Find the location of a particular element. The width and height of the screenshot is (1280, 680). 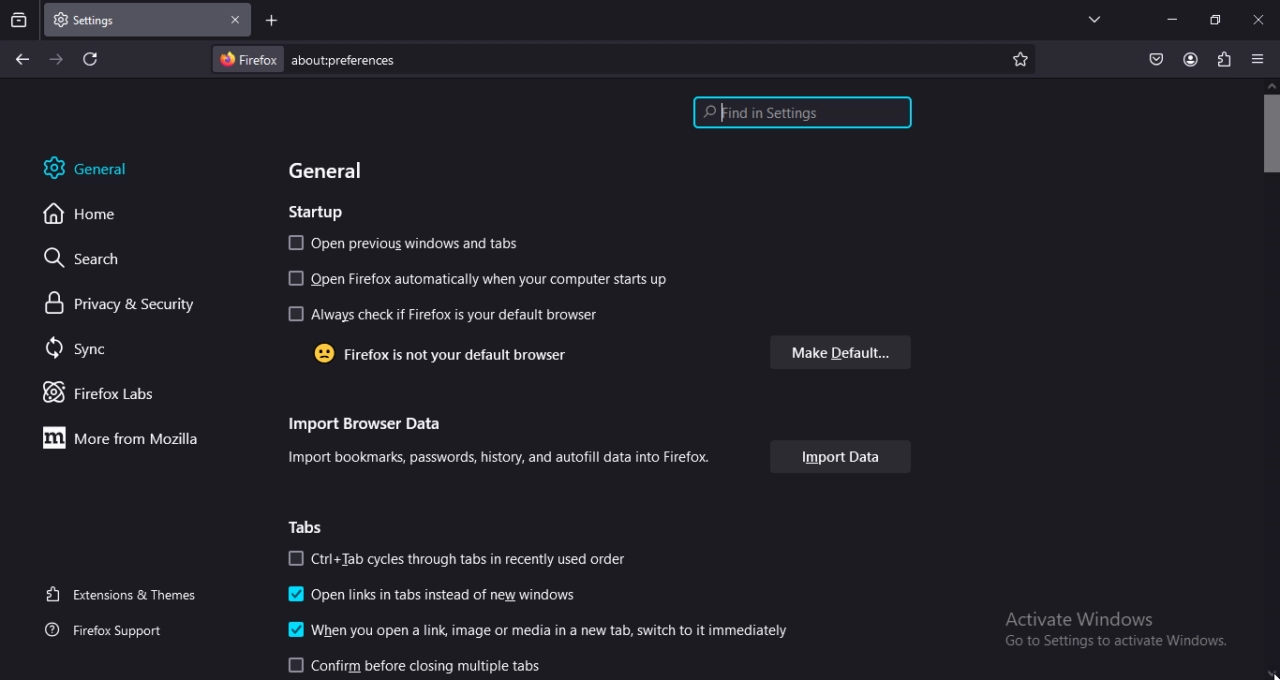

general is located at coordinates (331, 171).